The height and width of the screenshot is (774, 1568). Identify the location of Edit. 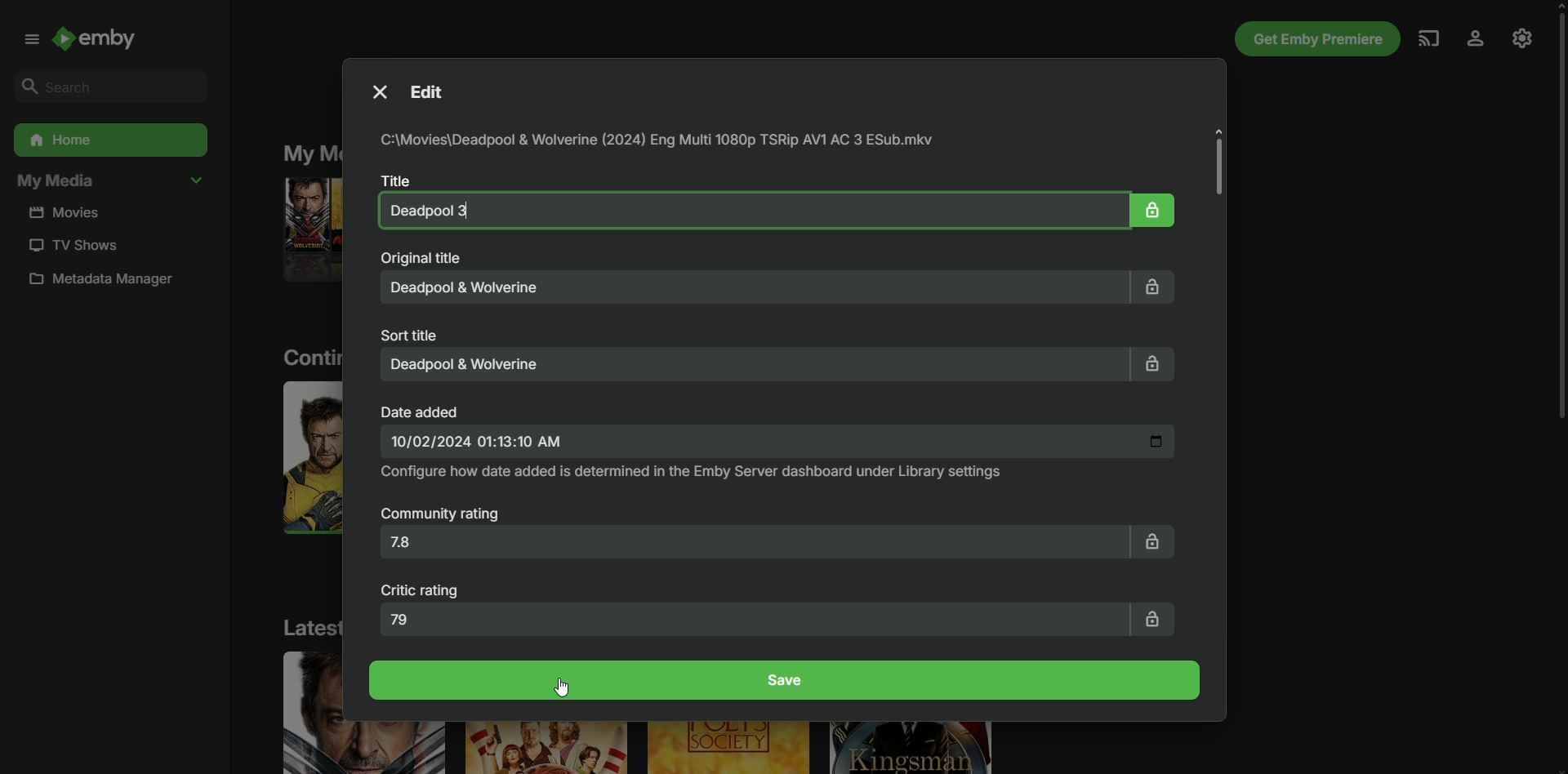
(436, 93).